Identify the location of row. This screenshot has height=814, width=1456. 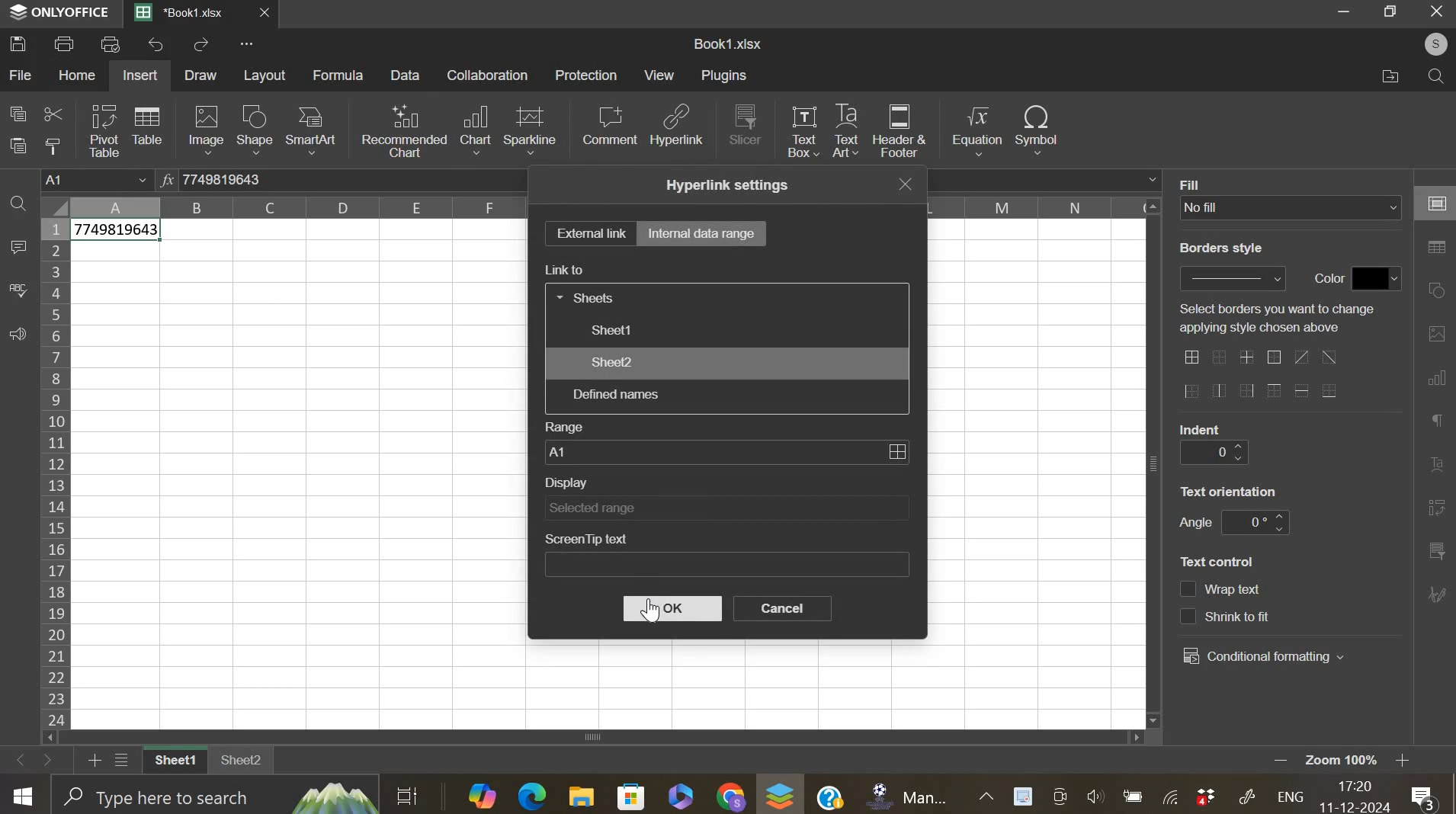
(54, 473).